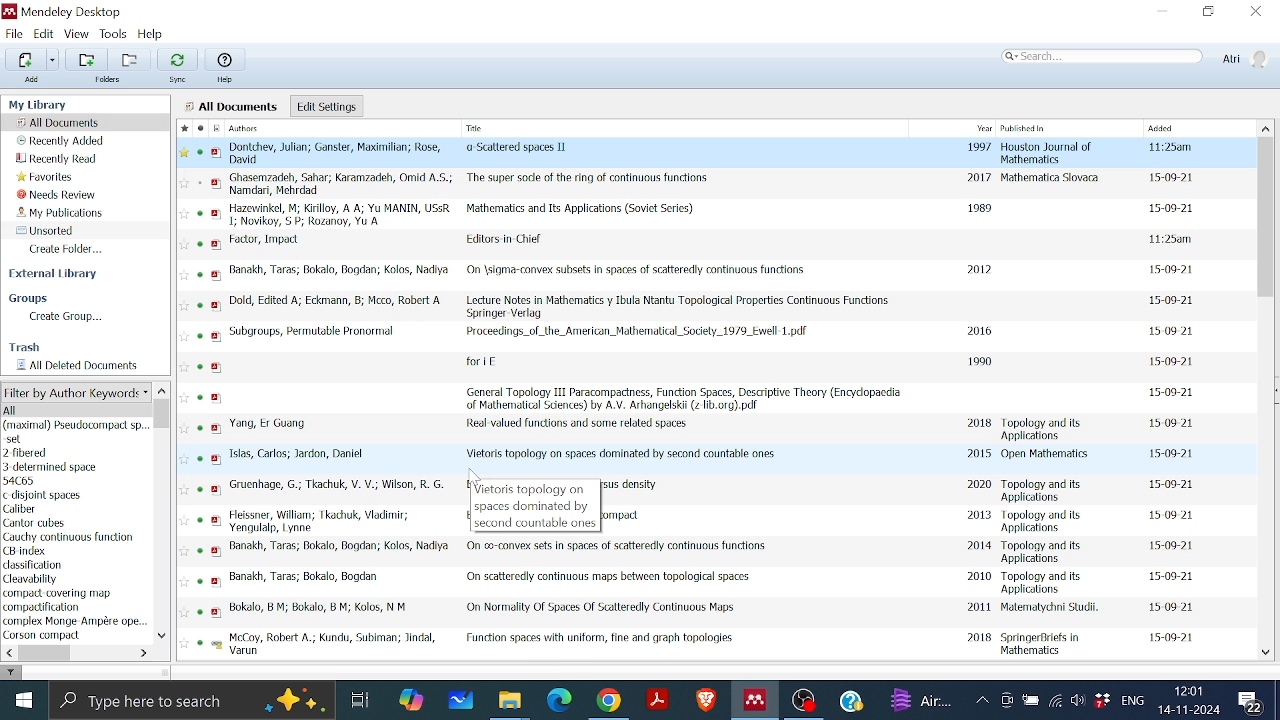 The image size is (1280, 720). I want to click on cursor, so click(467, 474).